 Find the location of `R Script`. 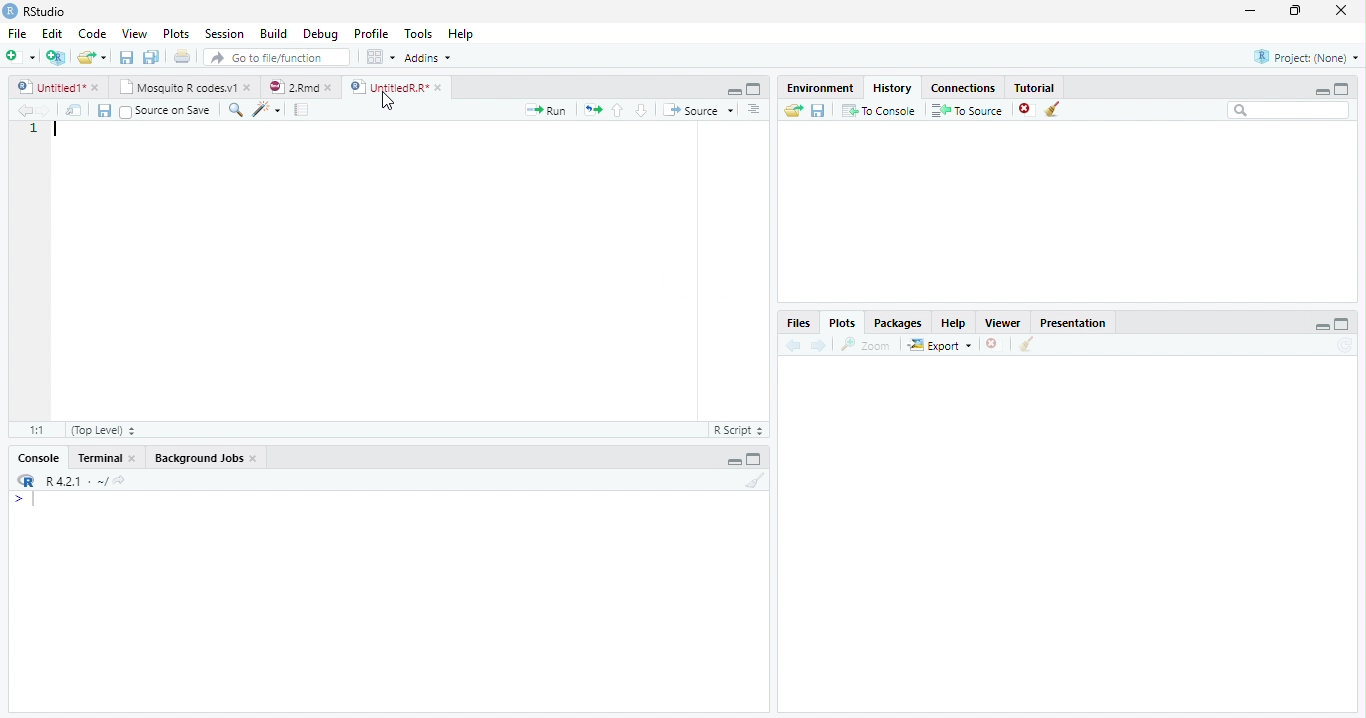

R Script is located at coordinates (739, 430).